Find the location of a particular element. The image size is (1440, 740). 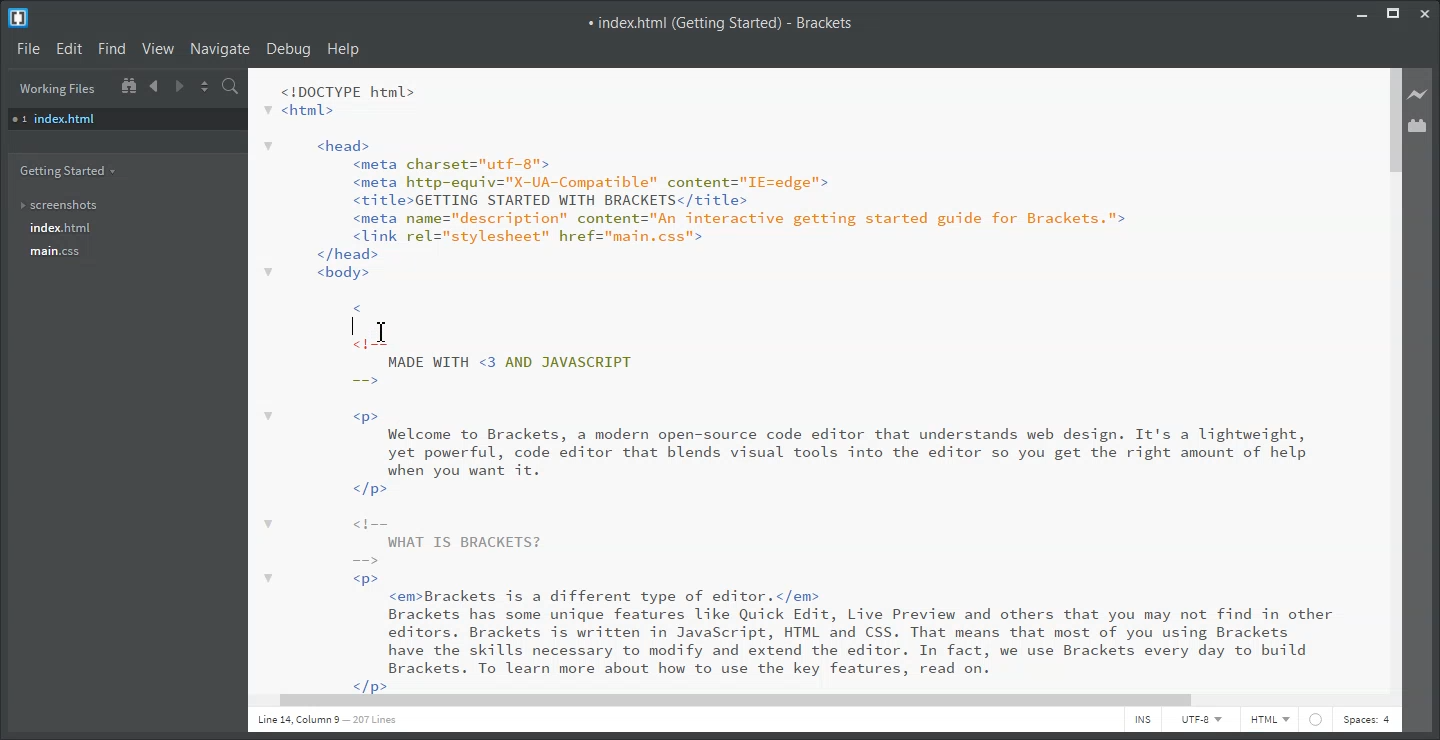

Navigate Backwards is located at coordinates (155, 86).